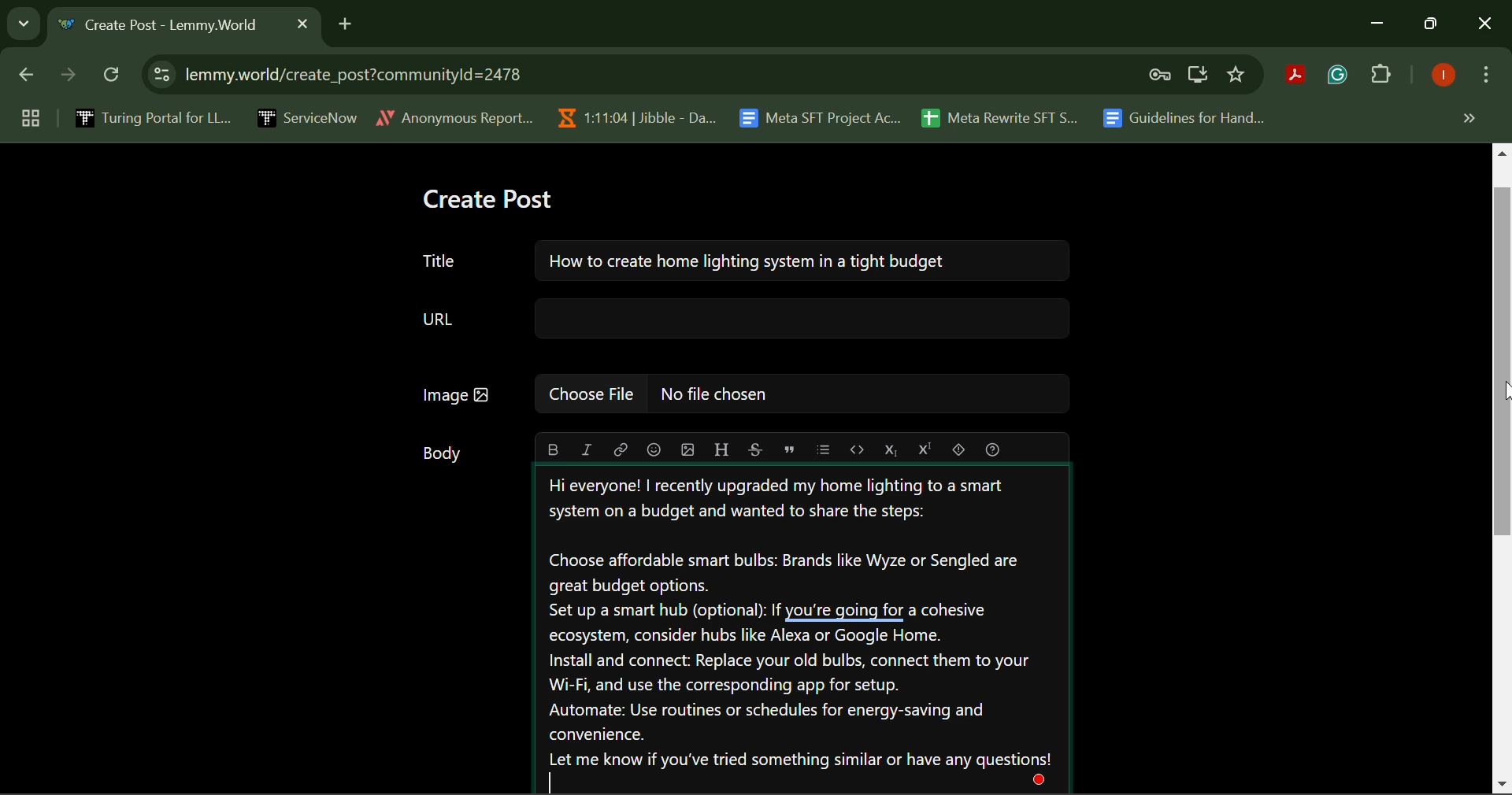  I want to click on link, so click(620, 449).